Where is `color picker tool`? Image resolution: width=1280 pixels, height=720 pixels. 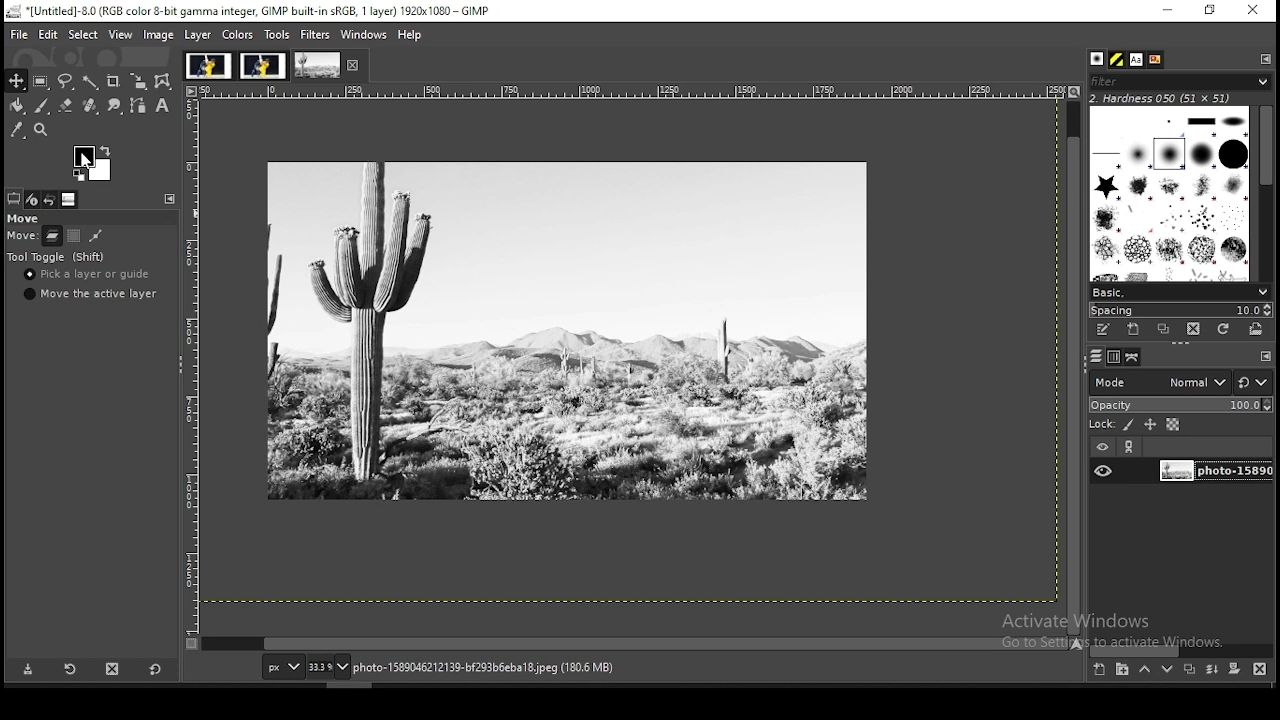 color picker tool is located at coordinates (17, 130).